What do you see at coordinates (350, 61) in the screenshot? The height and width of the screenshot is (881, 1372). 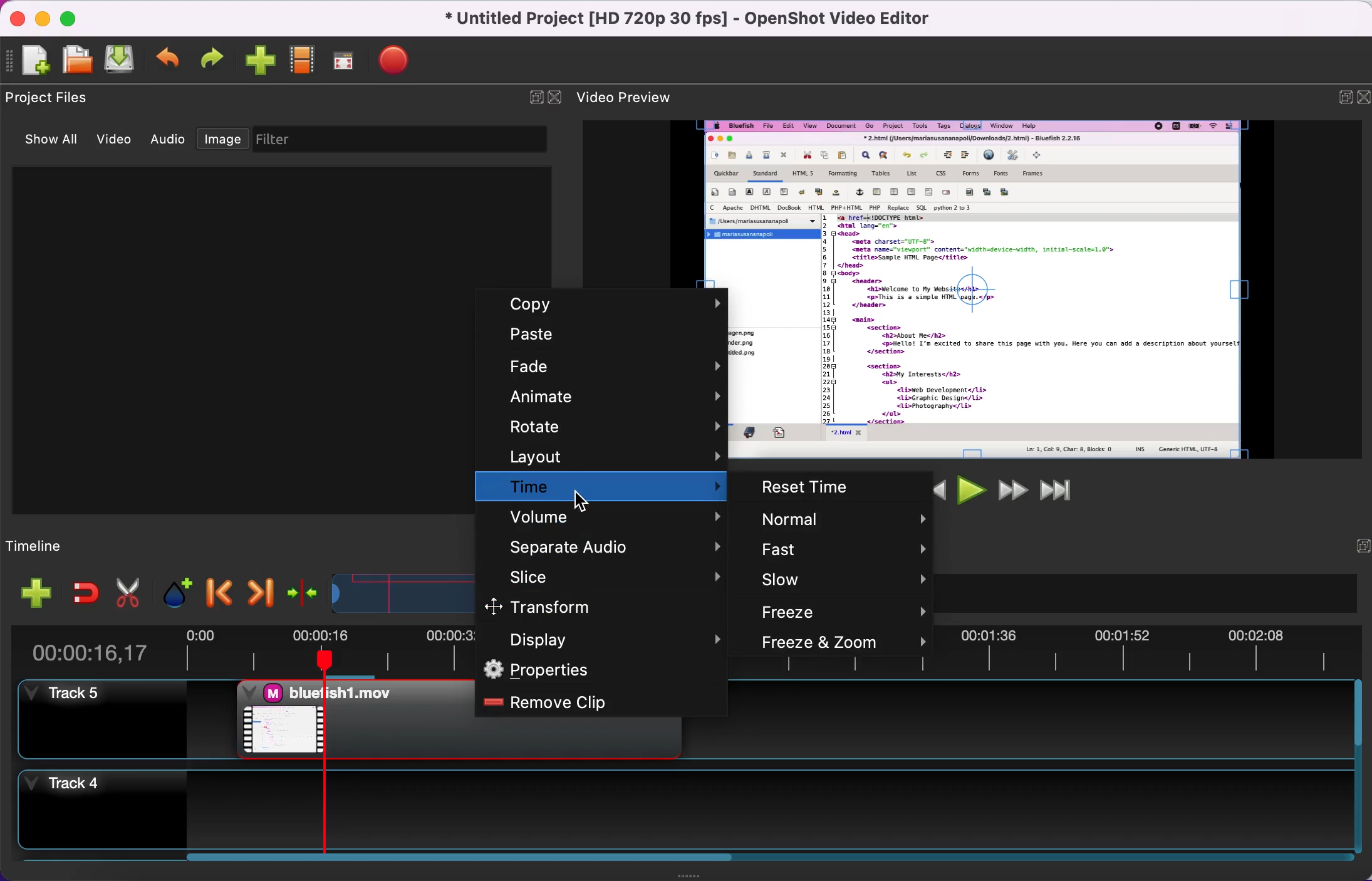 I see `full screen` at bounding box center [350, 61].